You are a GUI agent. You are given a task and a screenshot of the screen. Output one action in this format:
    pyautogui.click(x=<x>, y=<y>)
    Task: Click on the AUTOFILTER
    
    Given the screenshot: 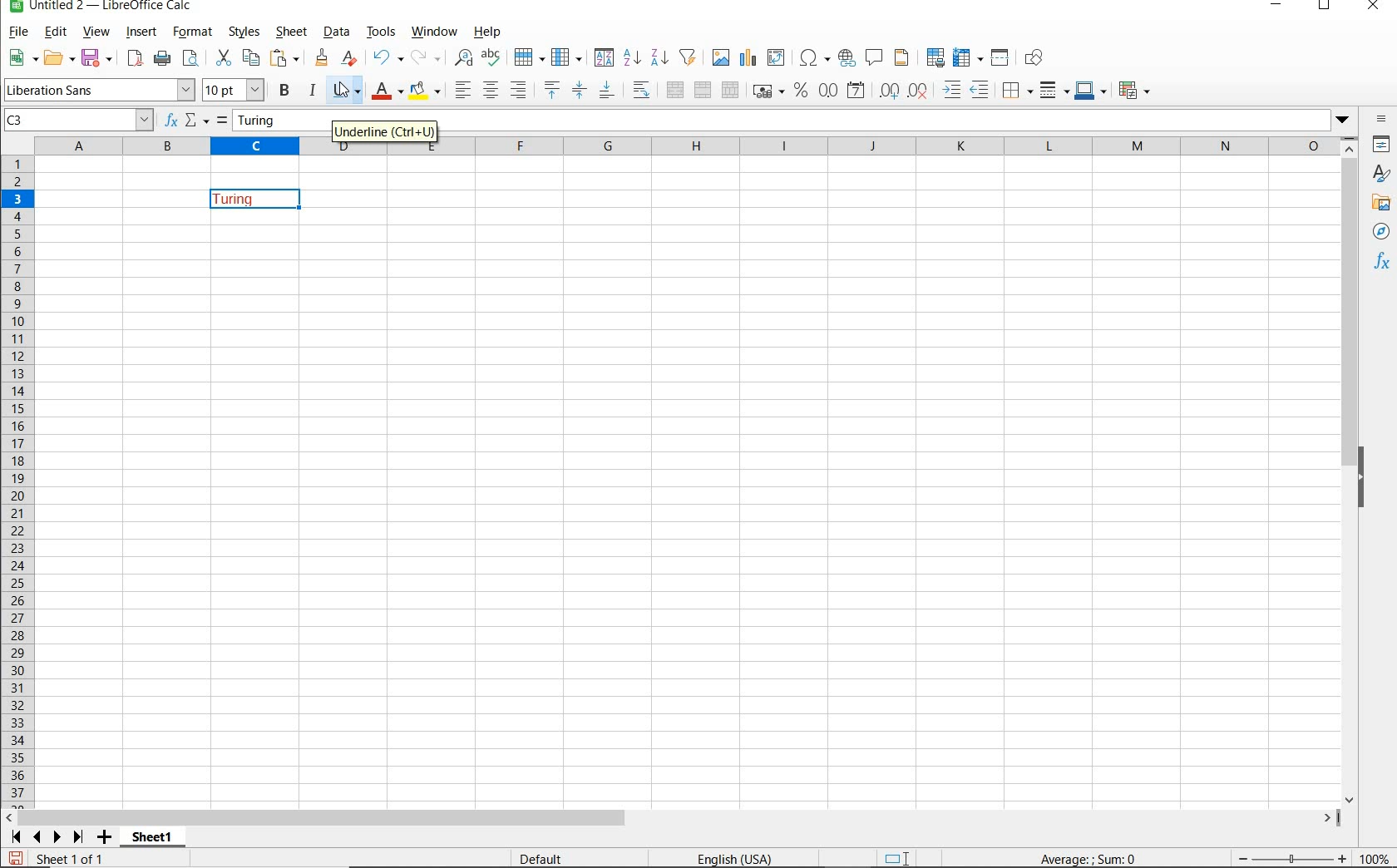 What is the action you would take?
    pyautogui.click(x=688, y=58)
    